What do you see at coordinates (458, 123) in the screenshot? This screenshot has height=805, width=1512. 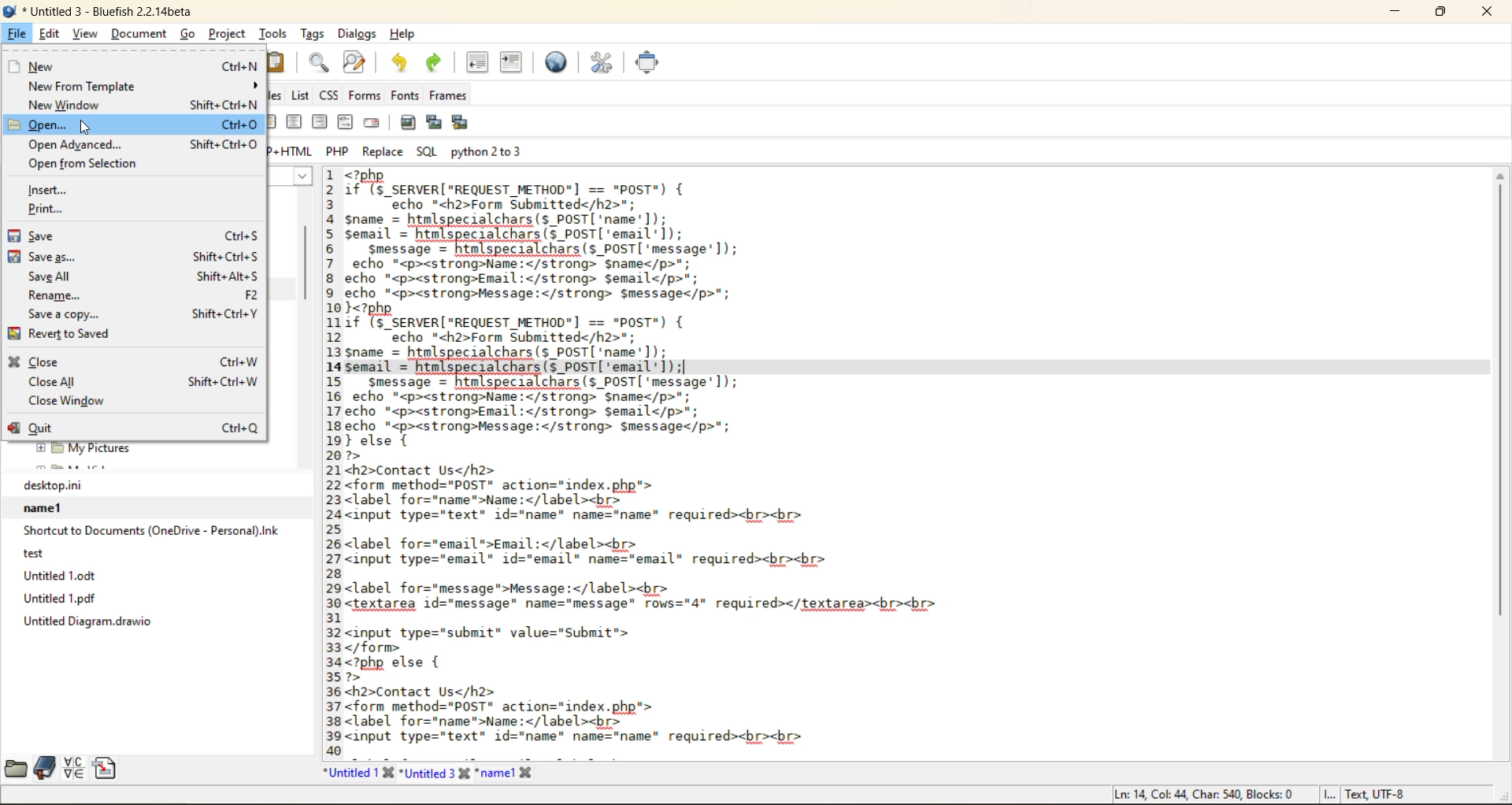 I see `multi thumbnail` at bounding box center [458, 123].